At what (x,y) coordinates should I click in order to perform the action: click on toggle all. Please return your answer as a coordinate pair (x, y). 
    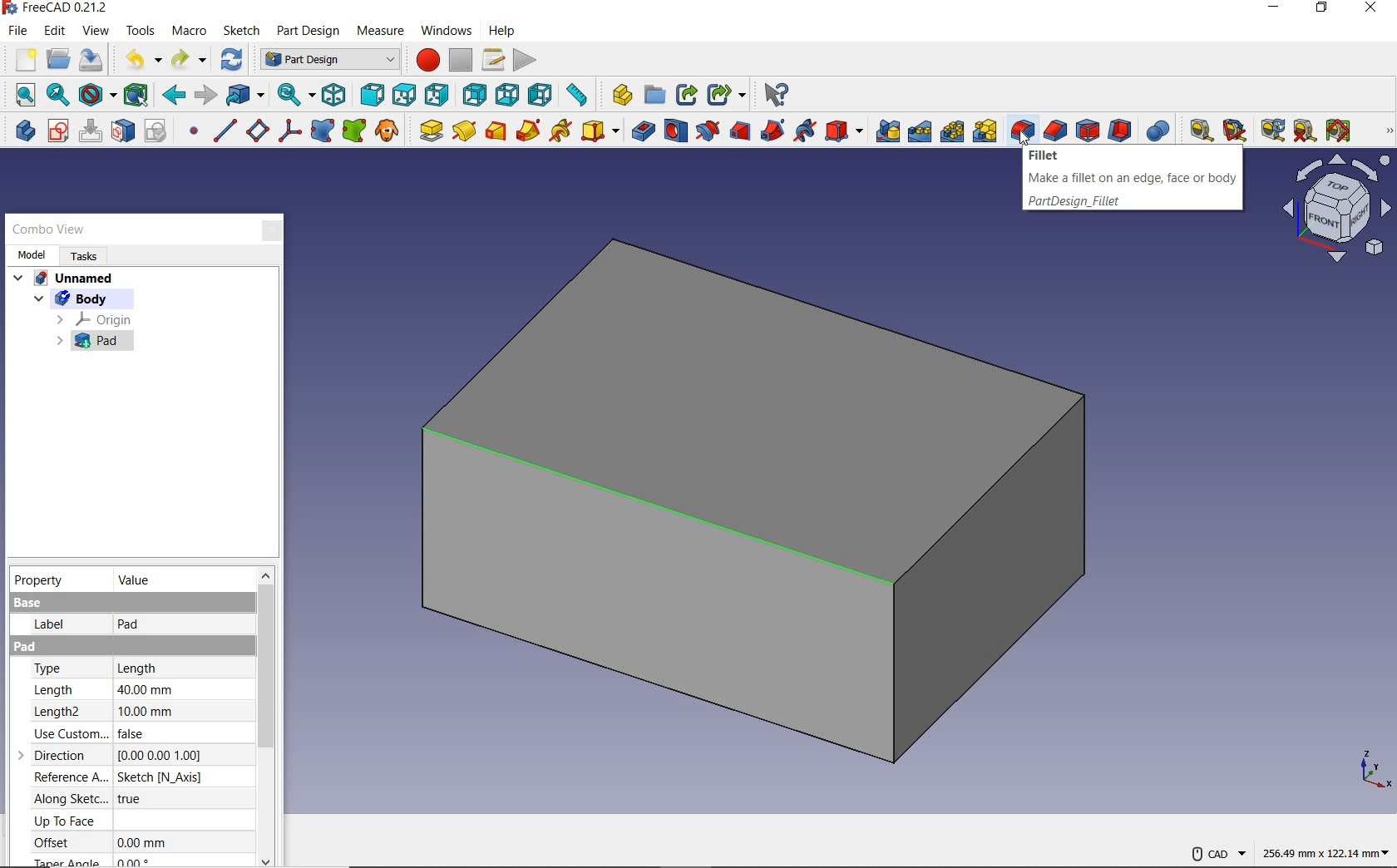
    Looking at the image, I should click on (1340, 131).